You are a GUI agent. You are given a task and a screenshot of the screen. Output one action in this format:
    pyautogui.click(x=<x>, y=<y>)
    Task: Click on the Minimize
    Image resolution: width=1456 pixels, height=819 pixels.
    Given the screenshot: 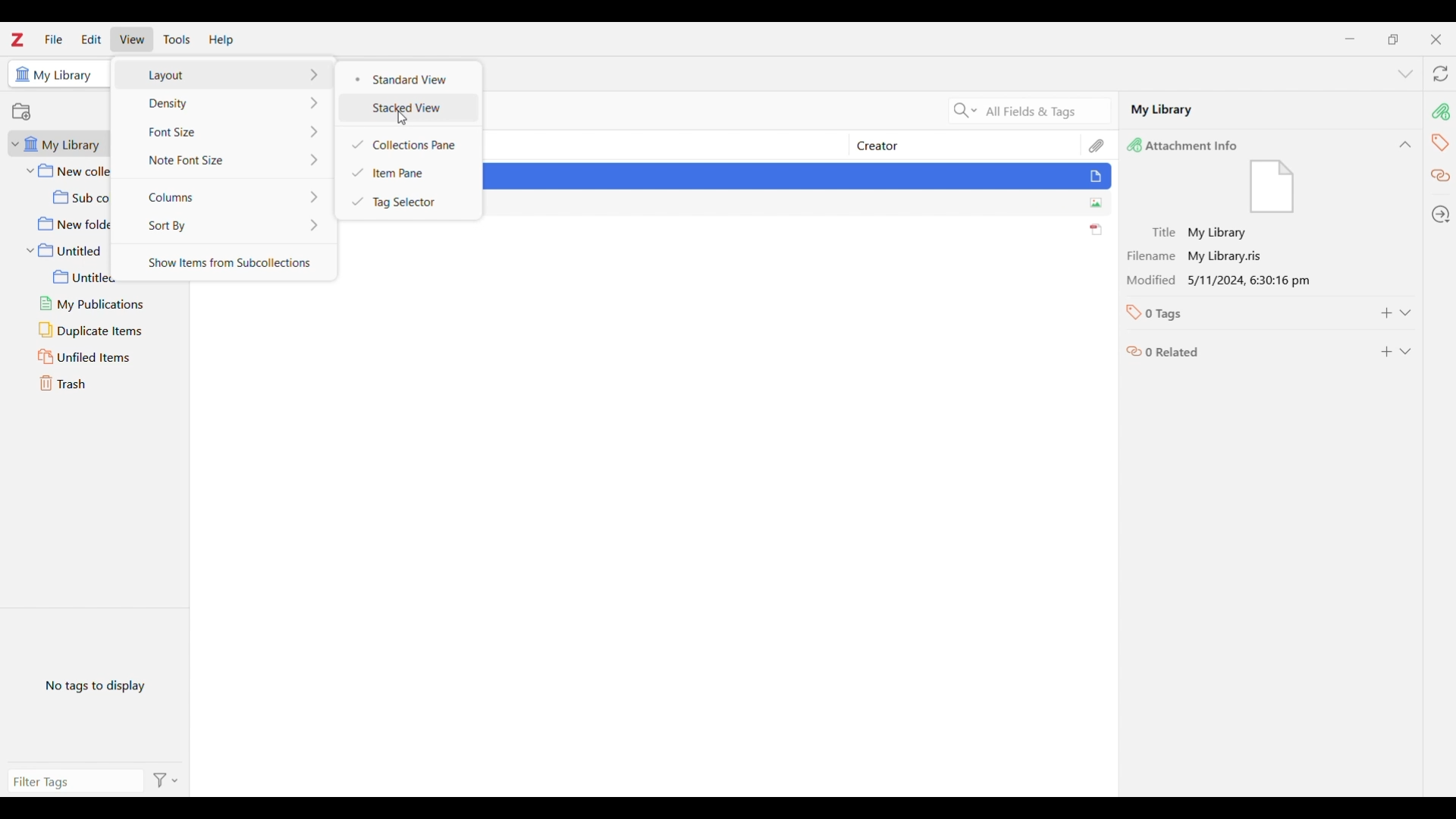 What is the action you would take?
    pyautogui.click(x=1350, y=39)
    